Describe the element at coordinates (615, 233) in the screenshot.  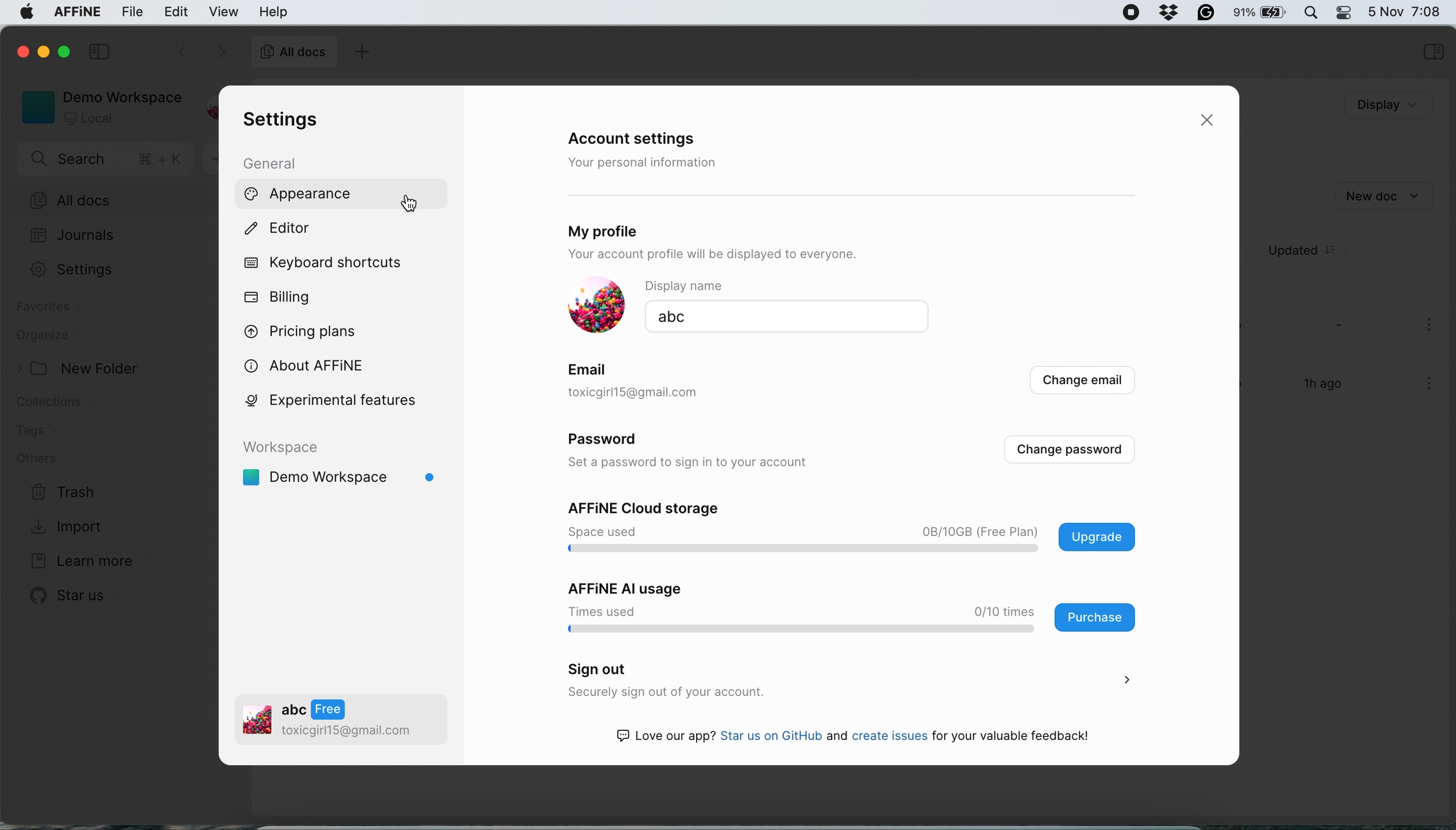
I see `my profile` at that location.